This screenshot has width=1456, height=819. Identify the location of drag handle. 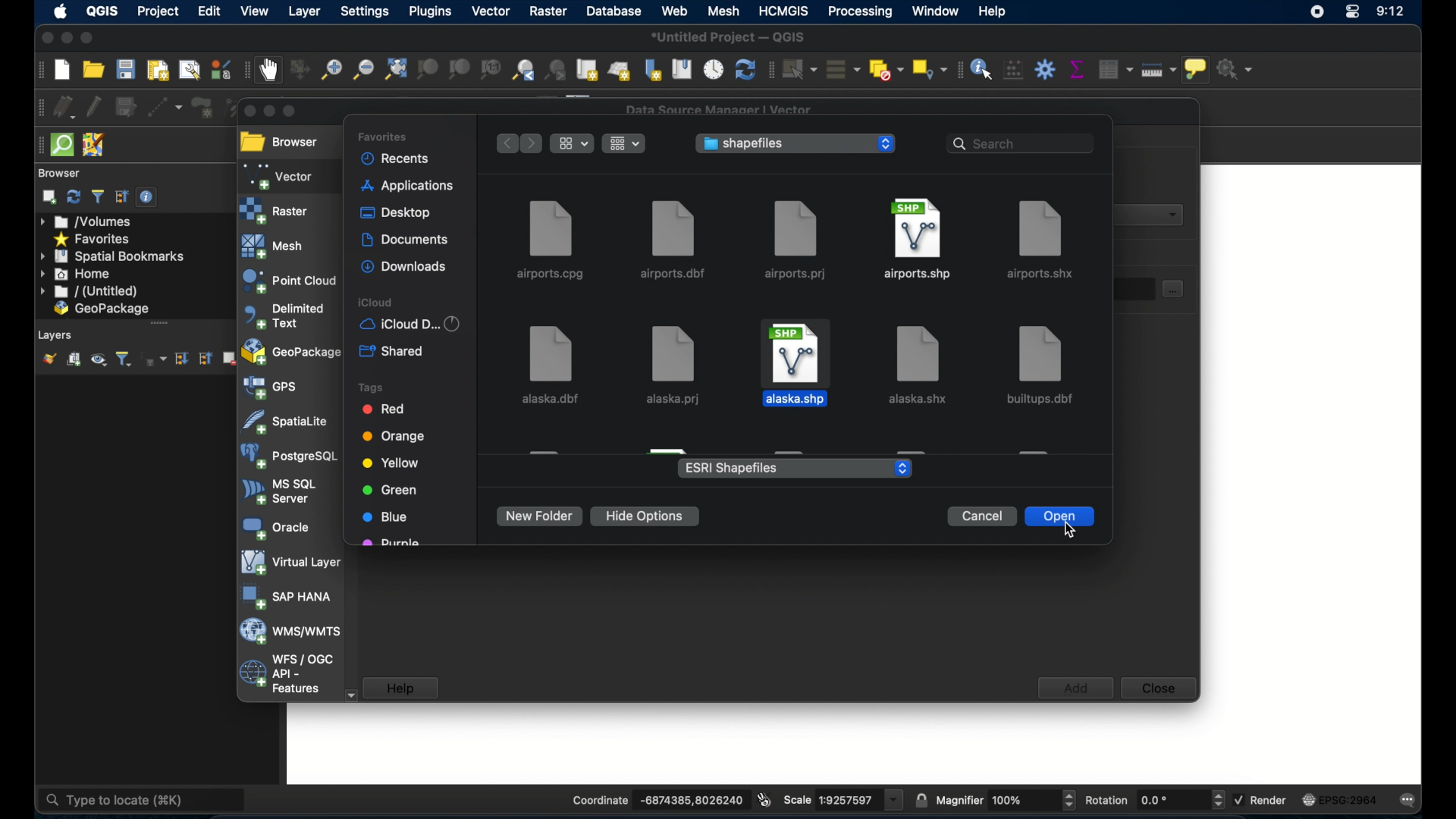
(36, 145).